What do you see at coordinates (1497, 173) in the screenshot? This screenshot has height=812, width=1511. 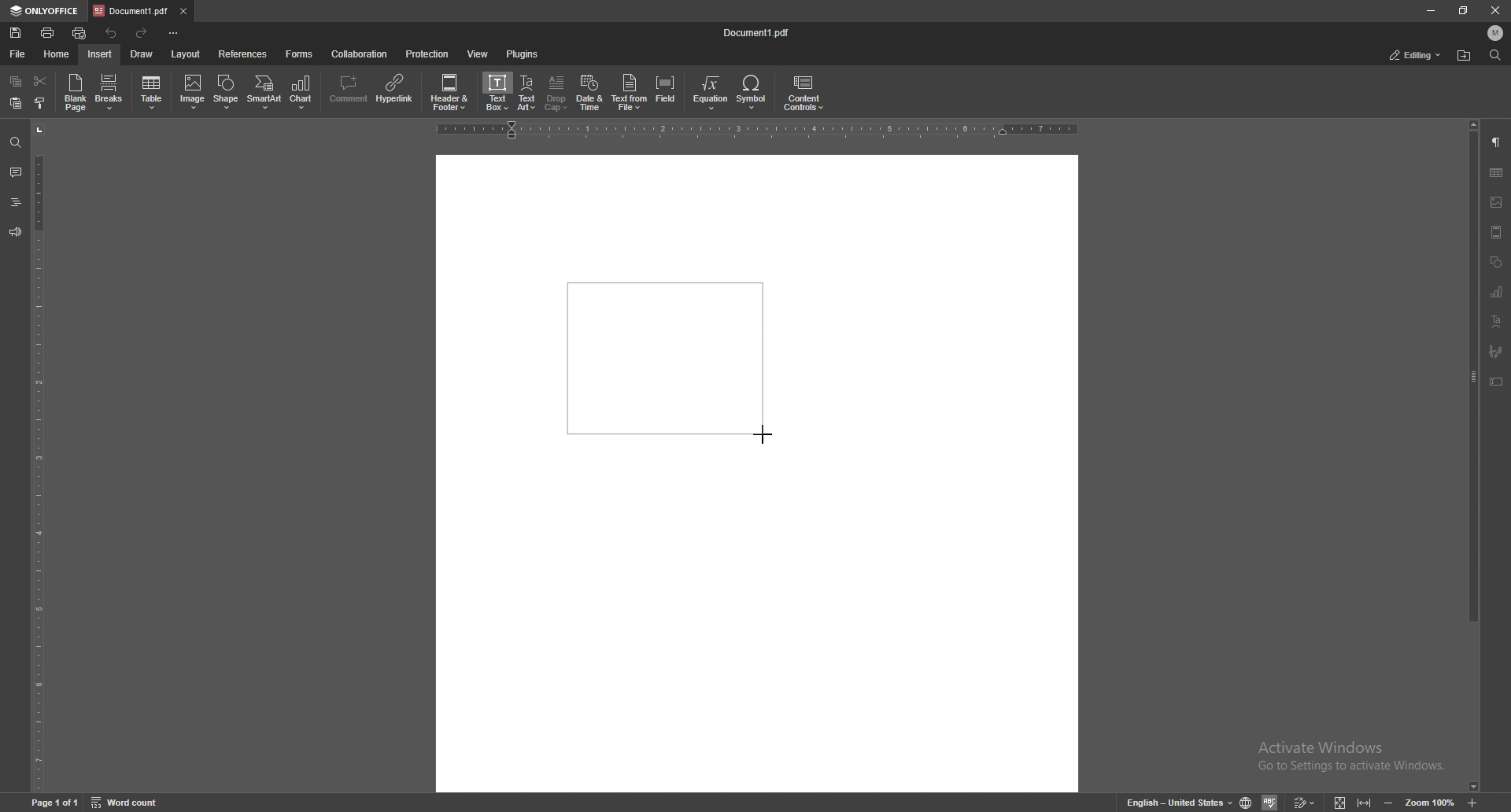 I see `table` at bounding box center [1497, 173].